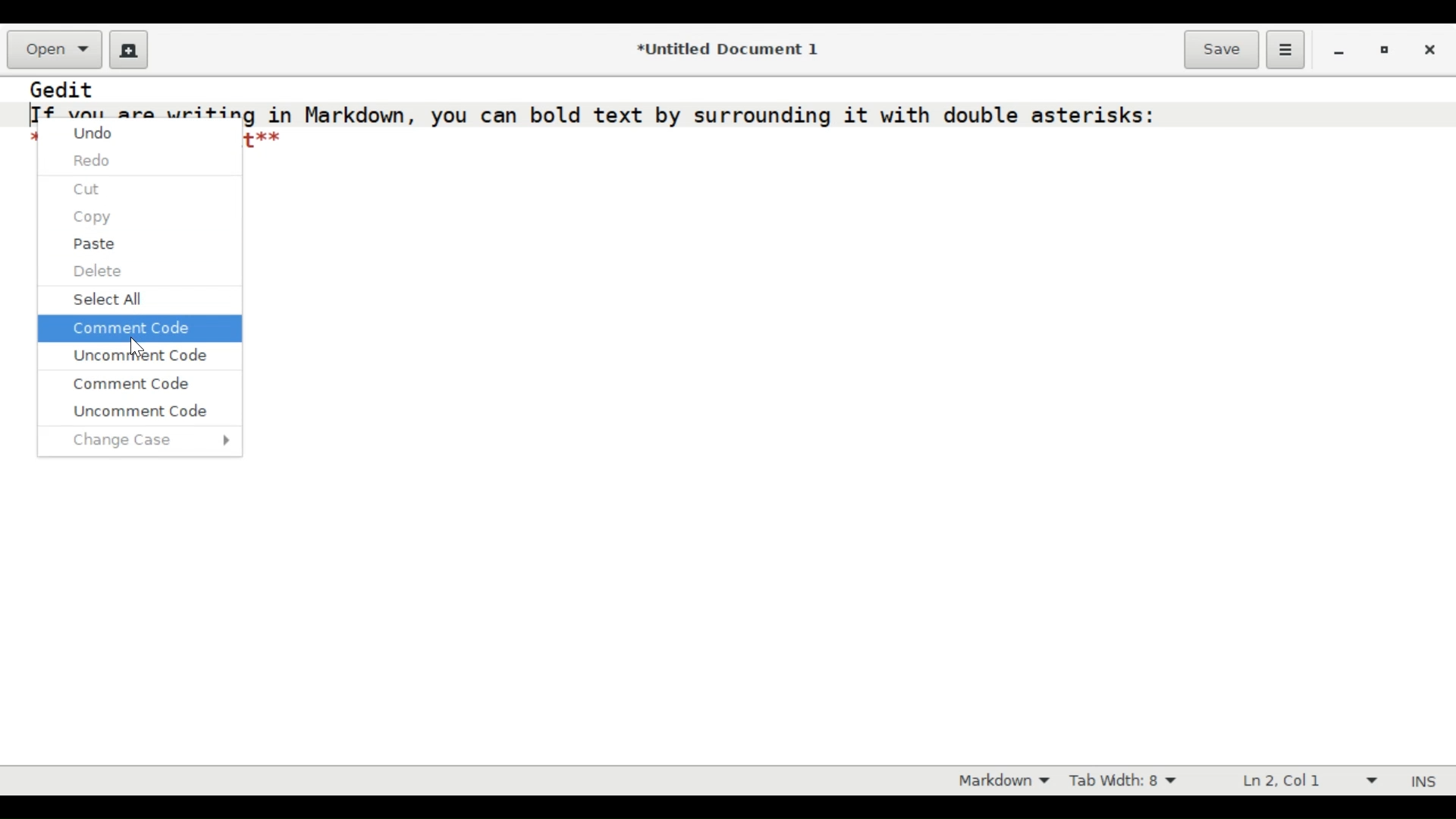 Image resolution: width=1456 pixels, height=819 pixels. Describe the element at coordinates (134, 382) in the screenshot. I see `Comment Code` at that location.